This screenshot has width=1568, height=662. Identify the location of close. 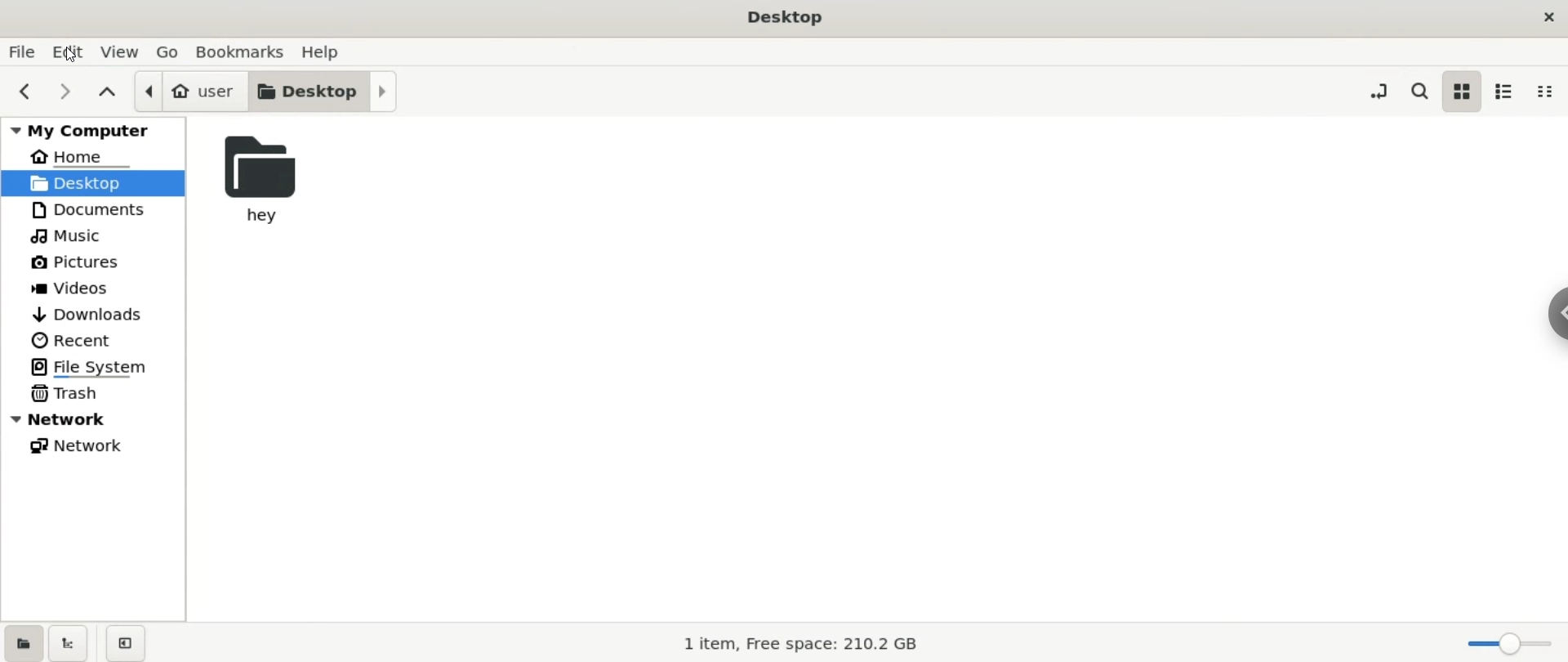
(1545, 16).